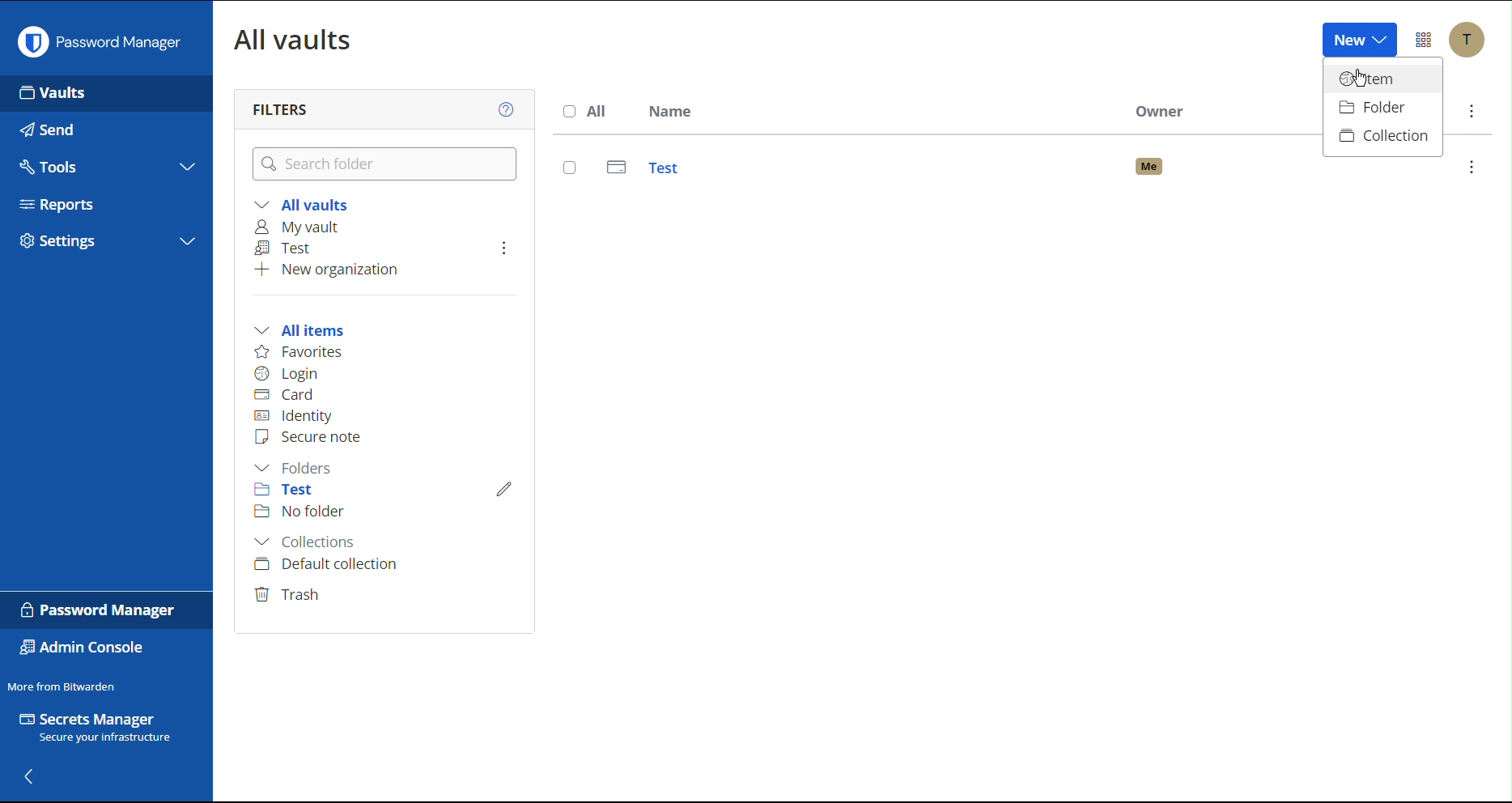  What do you see at coordinates (386, 164) in the screenshot?
I see `Search Folder` at bounding box center [386, 164].